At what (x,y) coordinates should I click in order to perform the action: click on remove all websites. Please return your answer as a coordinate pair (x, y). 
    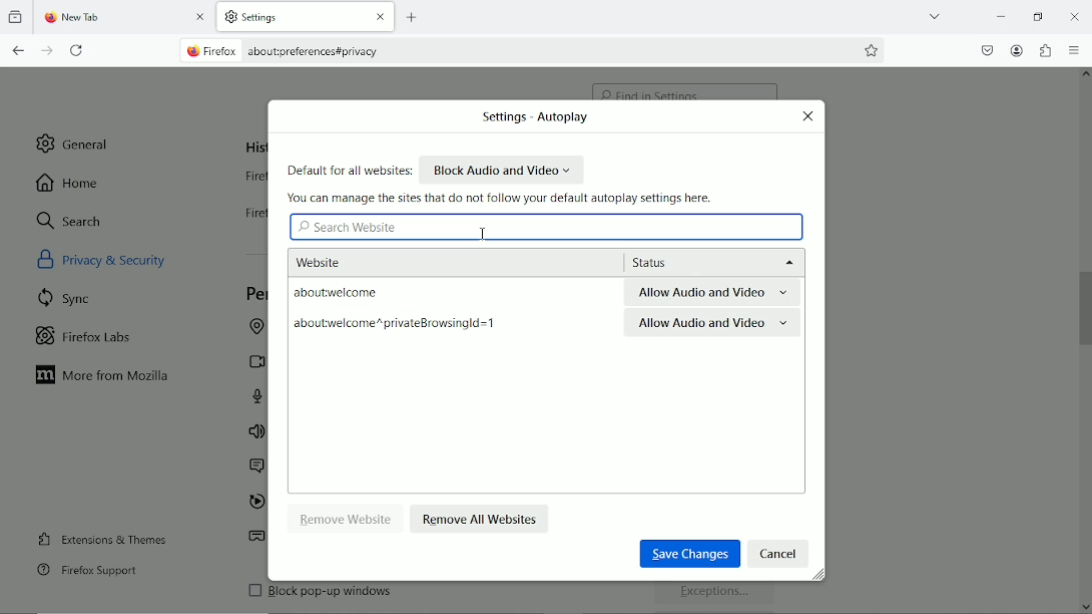
    Looking at the image, I should click on (481, 517).